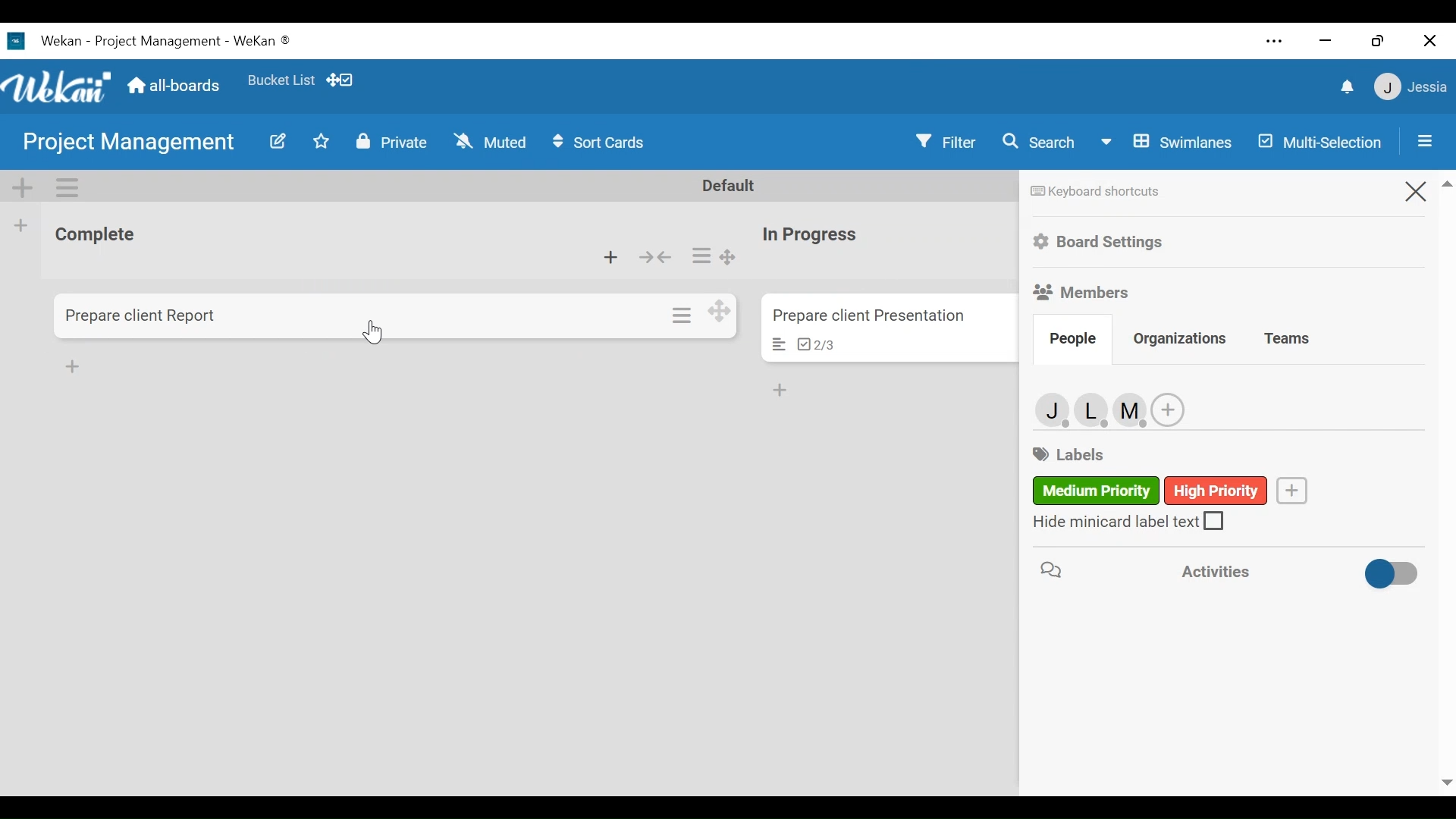 The width and height of the screenshot is (1456, 819). Describe the element at coordinates (127, 141) in the screenshot. I see `Board Title` at that location.